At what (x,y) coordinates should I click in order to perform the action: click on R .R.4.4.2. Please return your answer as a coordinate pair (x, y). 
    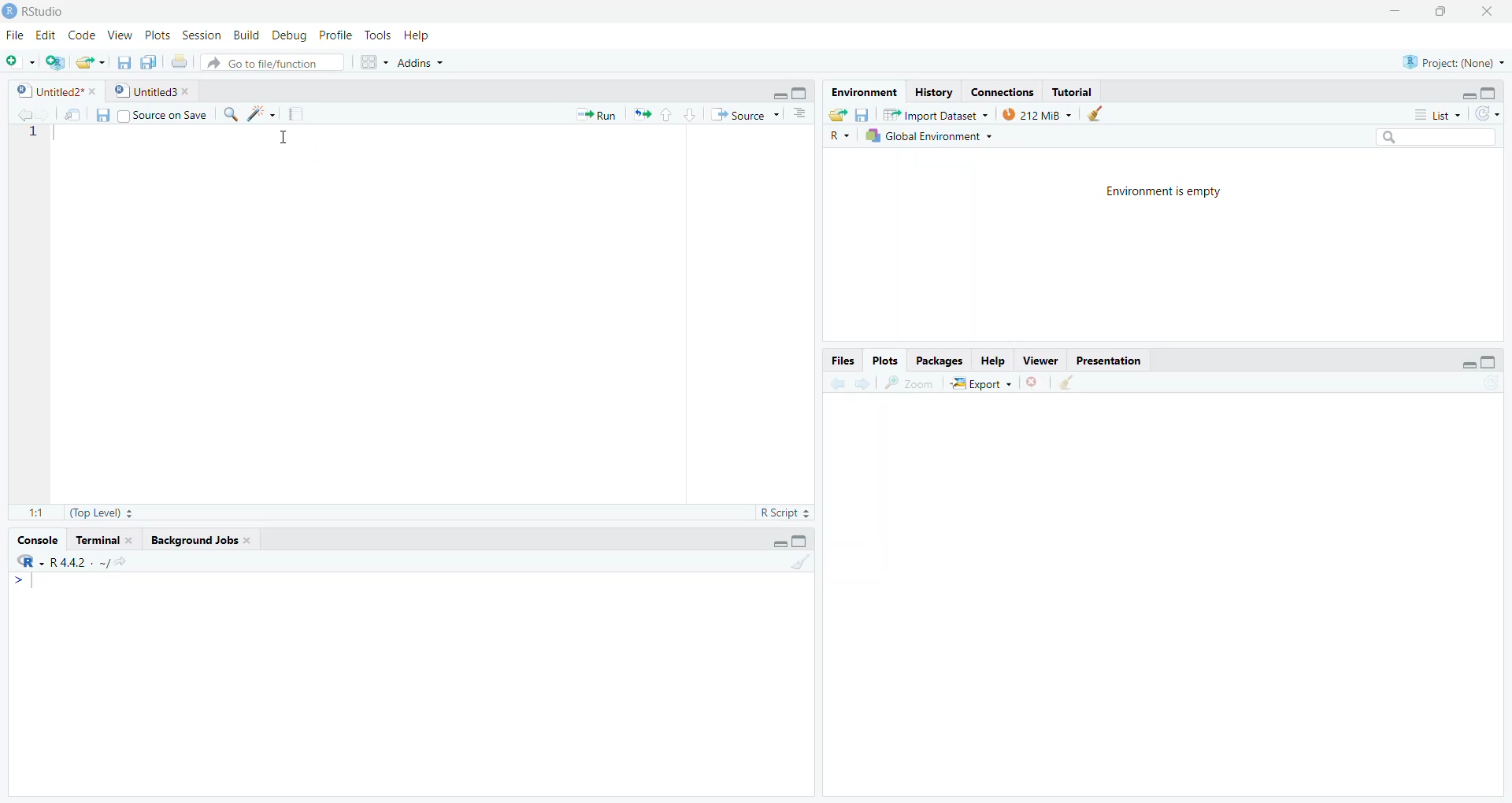
    Looking at the image, I should click on (75, 563).